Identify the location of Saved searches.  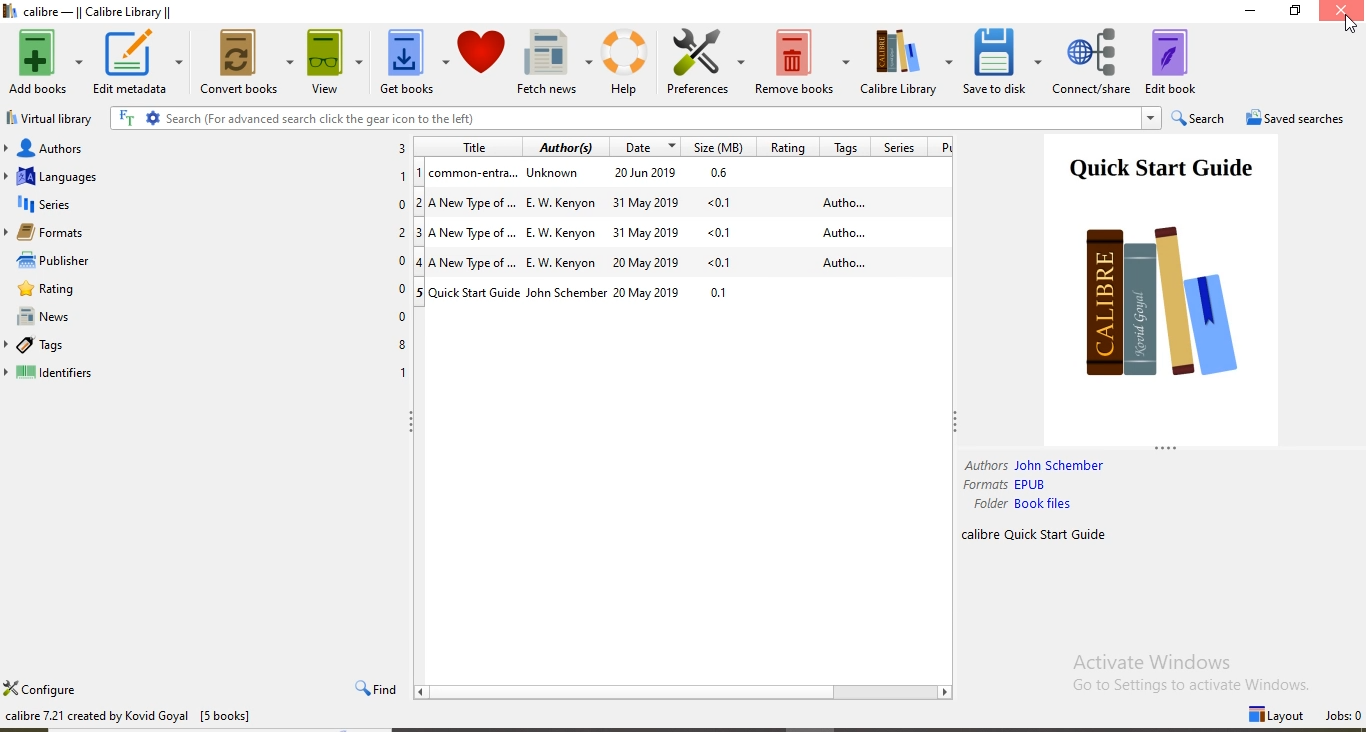
(1299, 120).